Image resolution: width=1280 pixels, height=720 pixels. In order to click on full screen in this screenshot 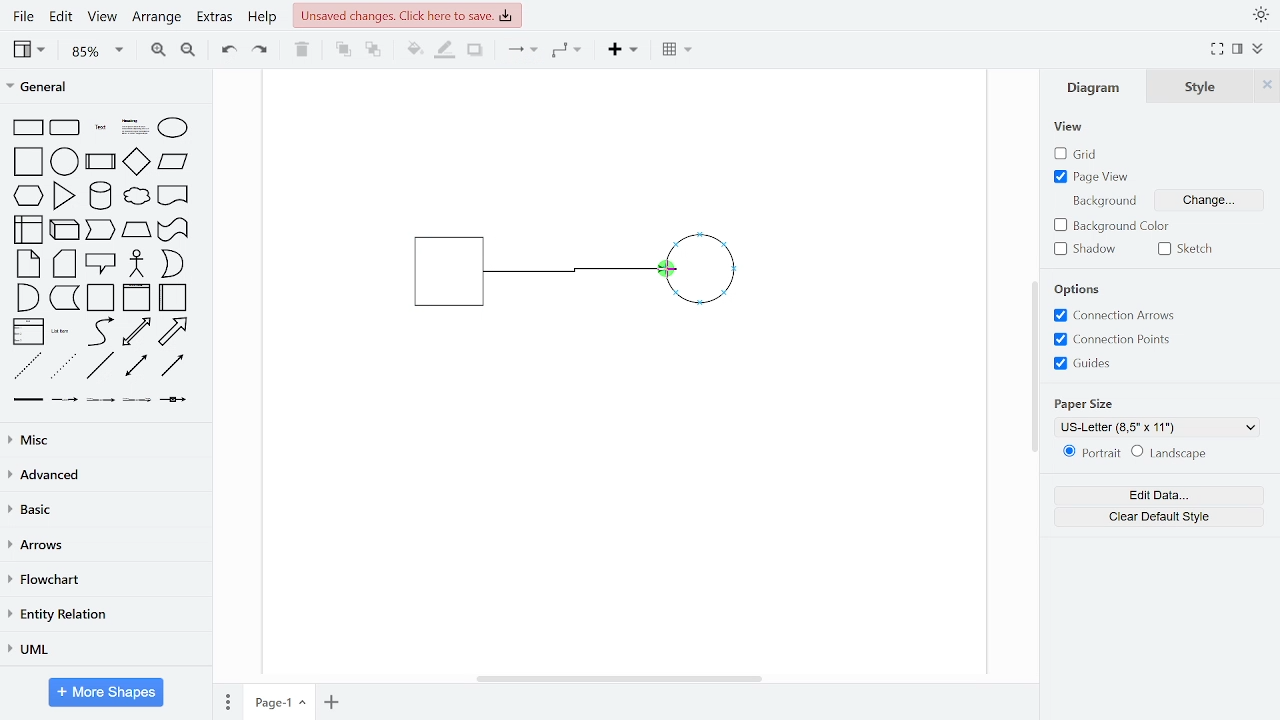, I will do `click(1218, 50)`.